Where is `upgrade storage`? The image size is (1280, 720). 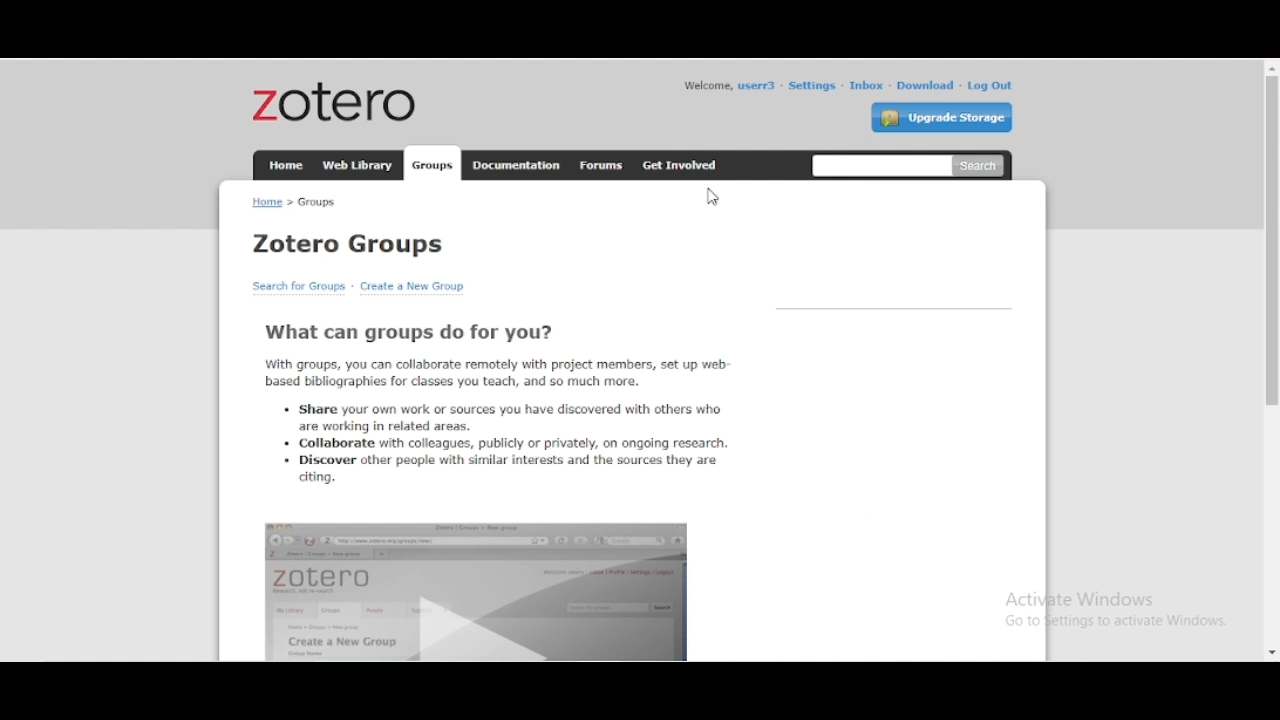
upgrade storage is located at coordinates (942, 117).